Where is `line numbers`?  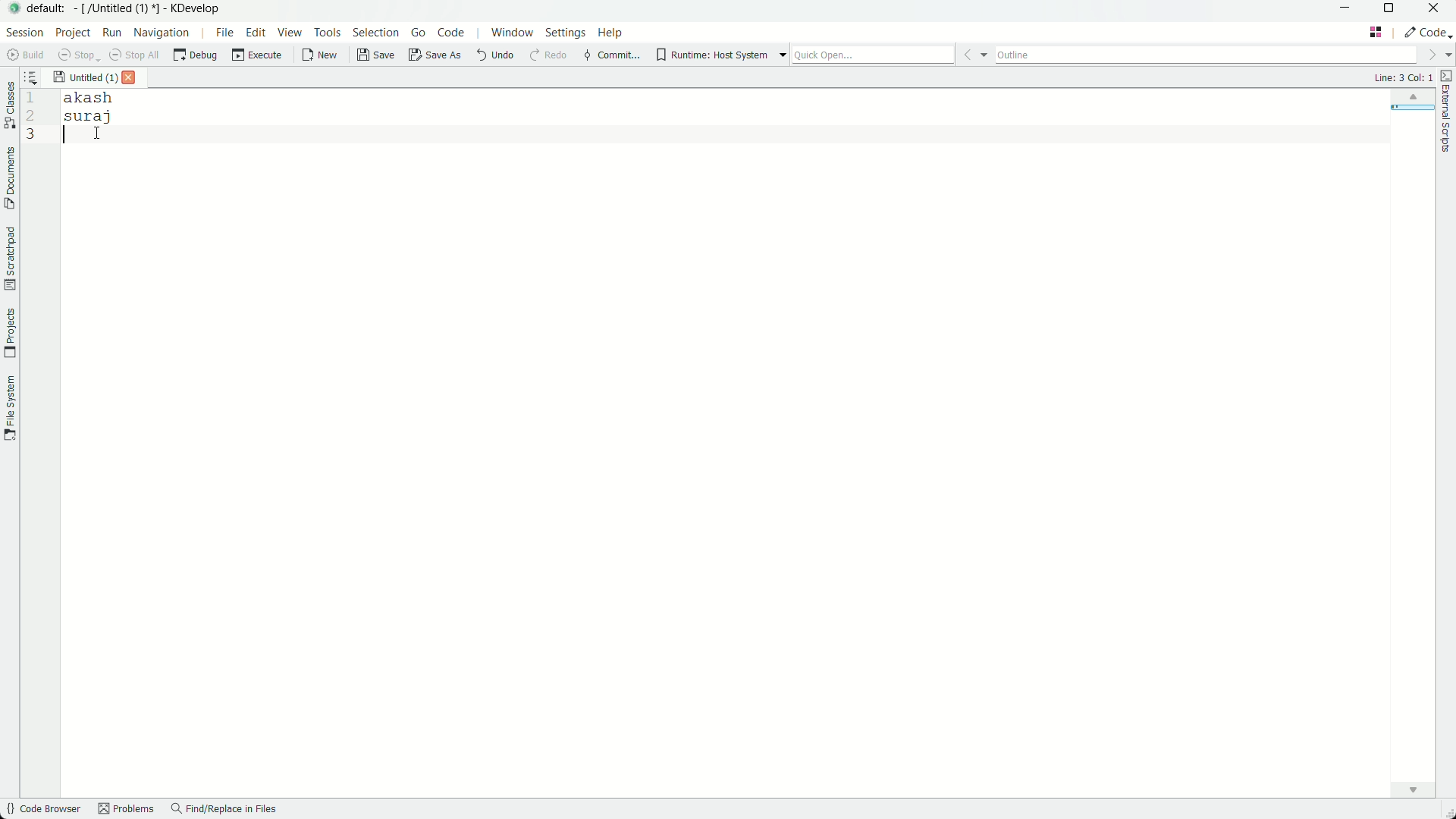 line numbers is located at coordinates (30, 118).